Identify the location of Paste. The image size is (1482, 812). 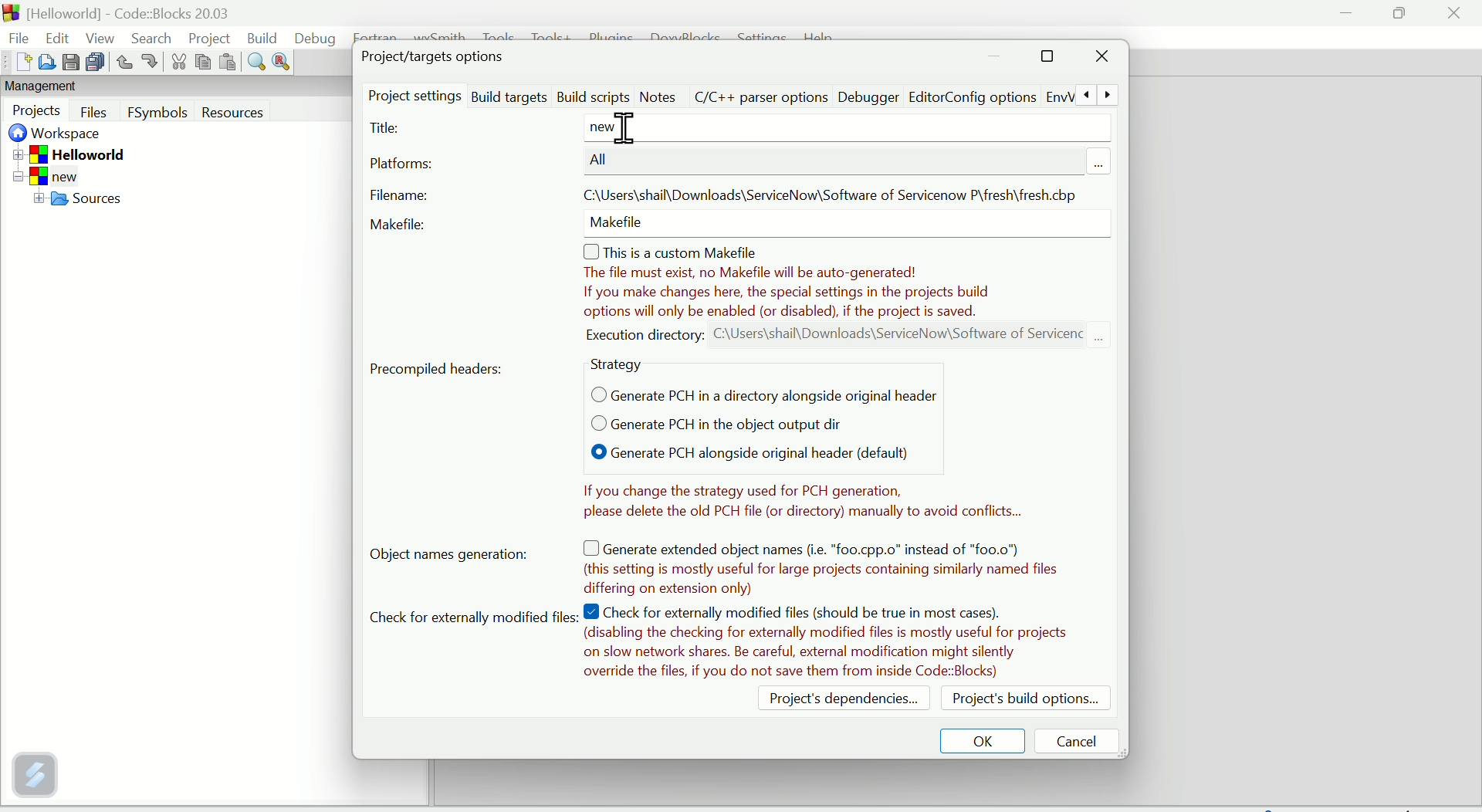
(226, 63).